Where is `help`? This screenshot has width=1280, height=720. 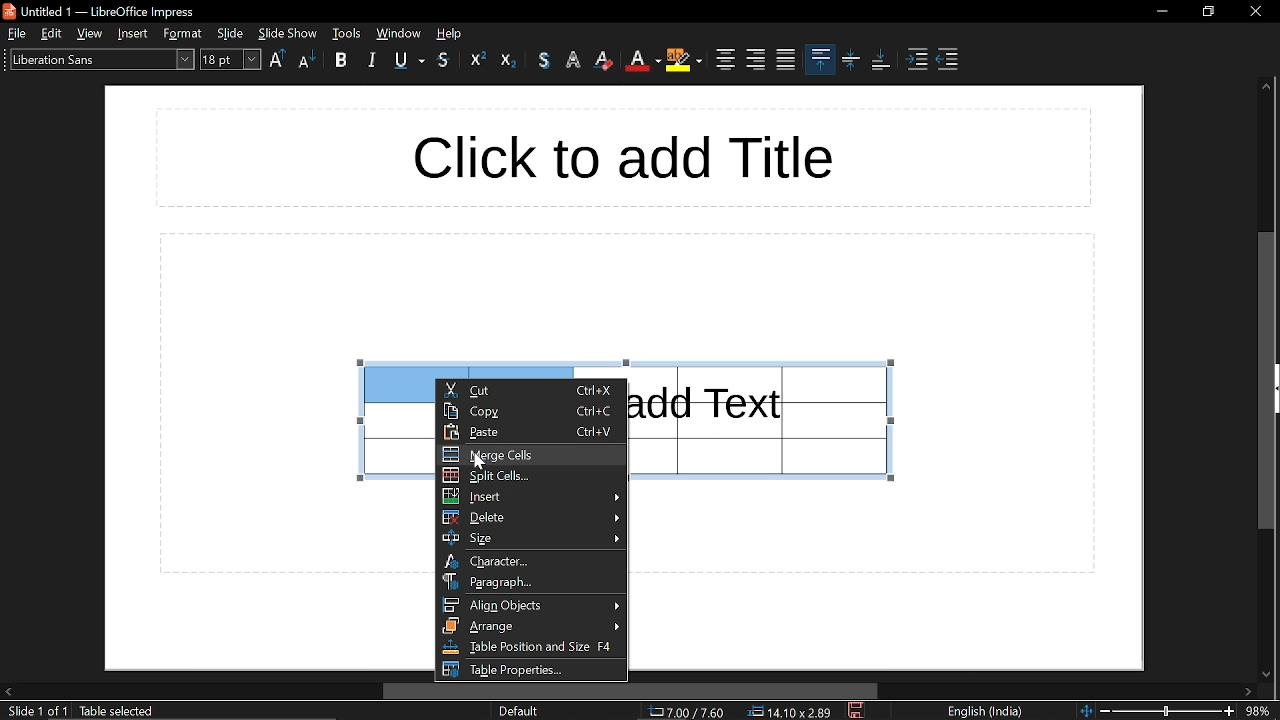 help is located at coordinates (452, 33).